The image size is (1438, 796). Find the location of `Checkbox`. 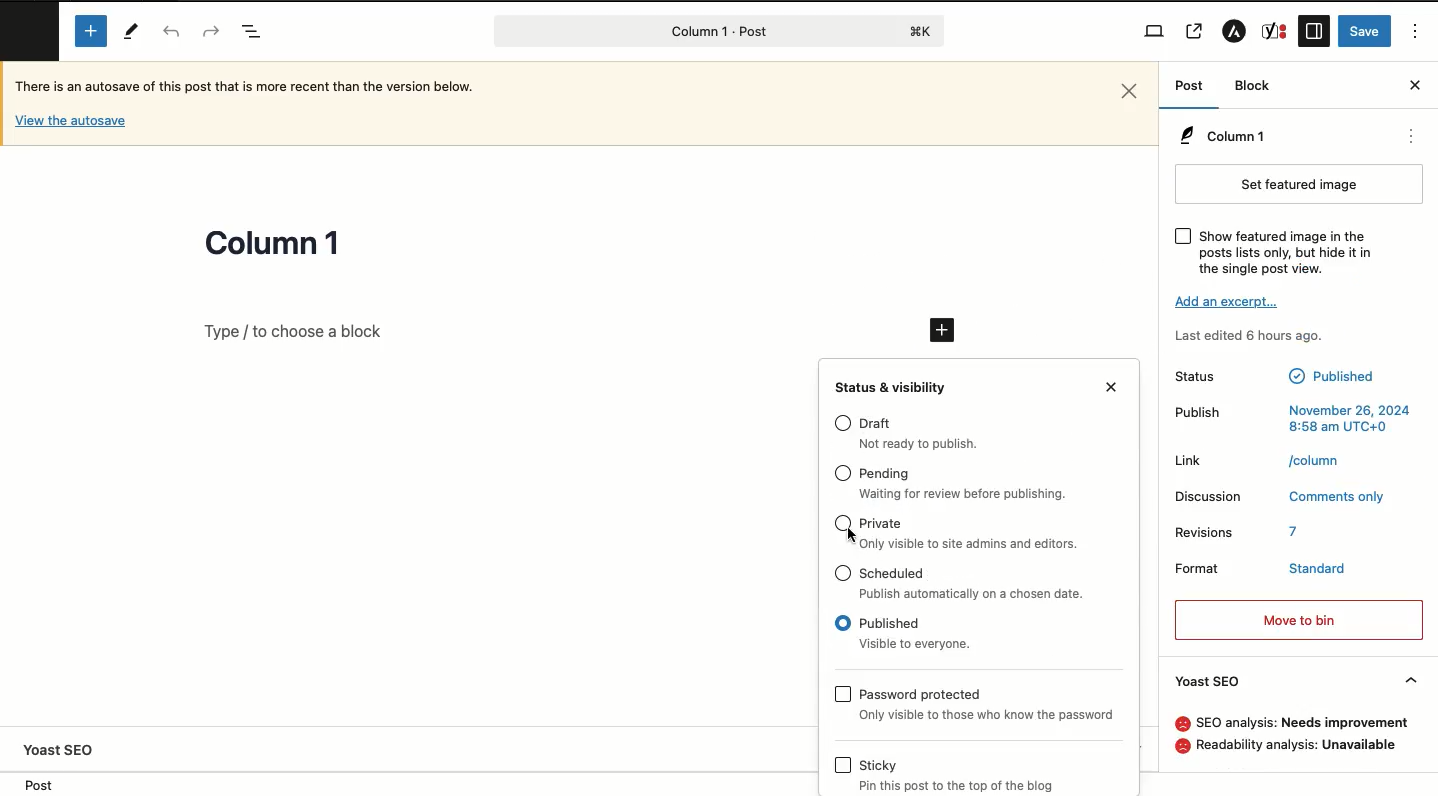

Checkbox is located at coordinates (843, 422).